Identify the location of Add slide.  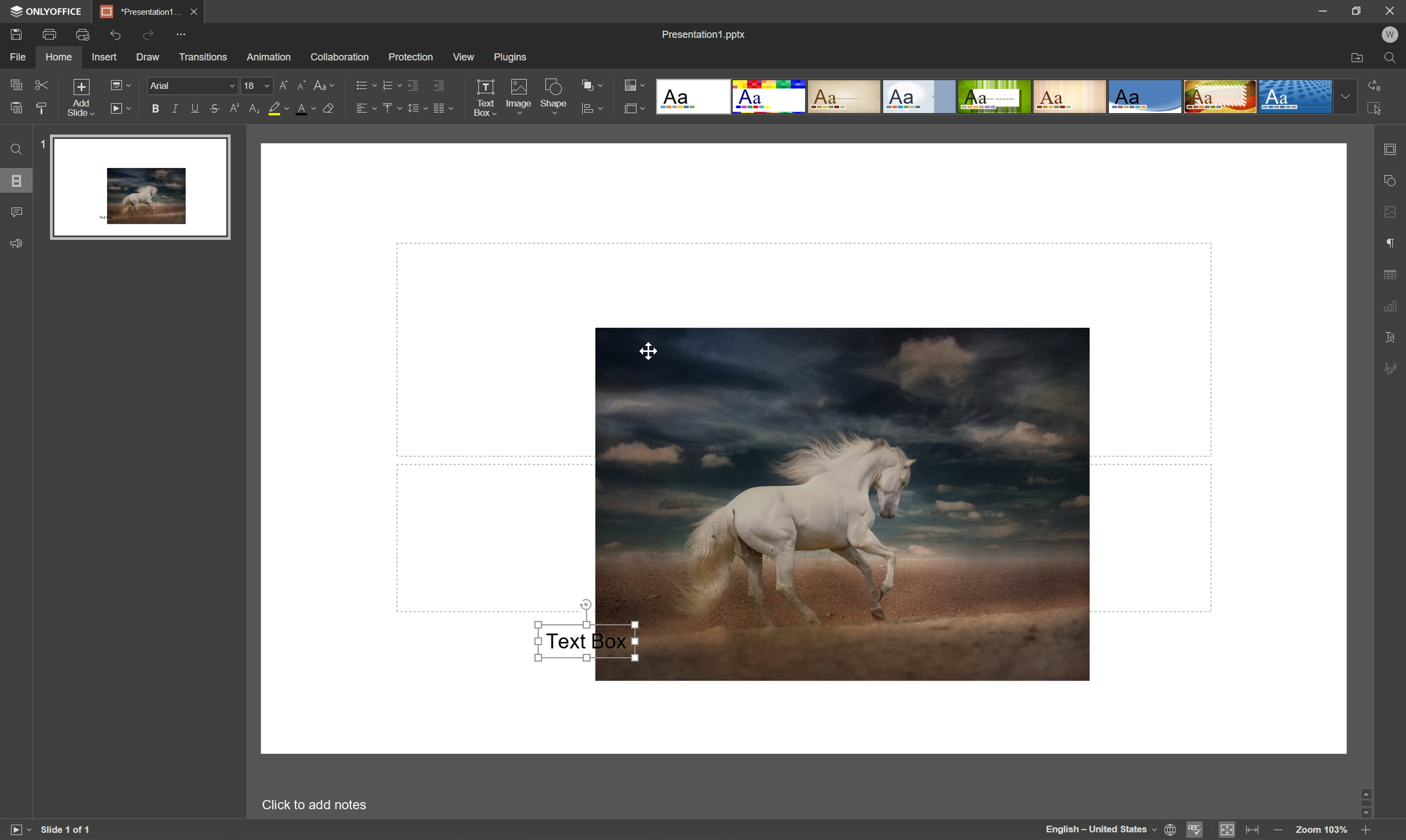
(84, 100).